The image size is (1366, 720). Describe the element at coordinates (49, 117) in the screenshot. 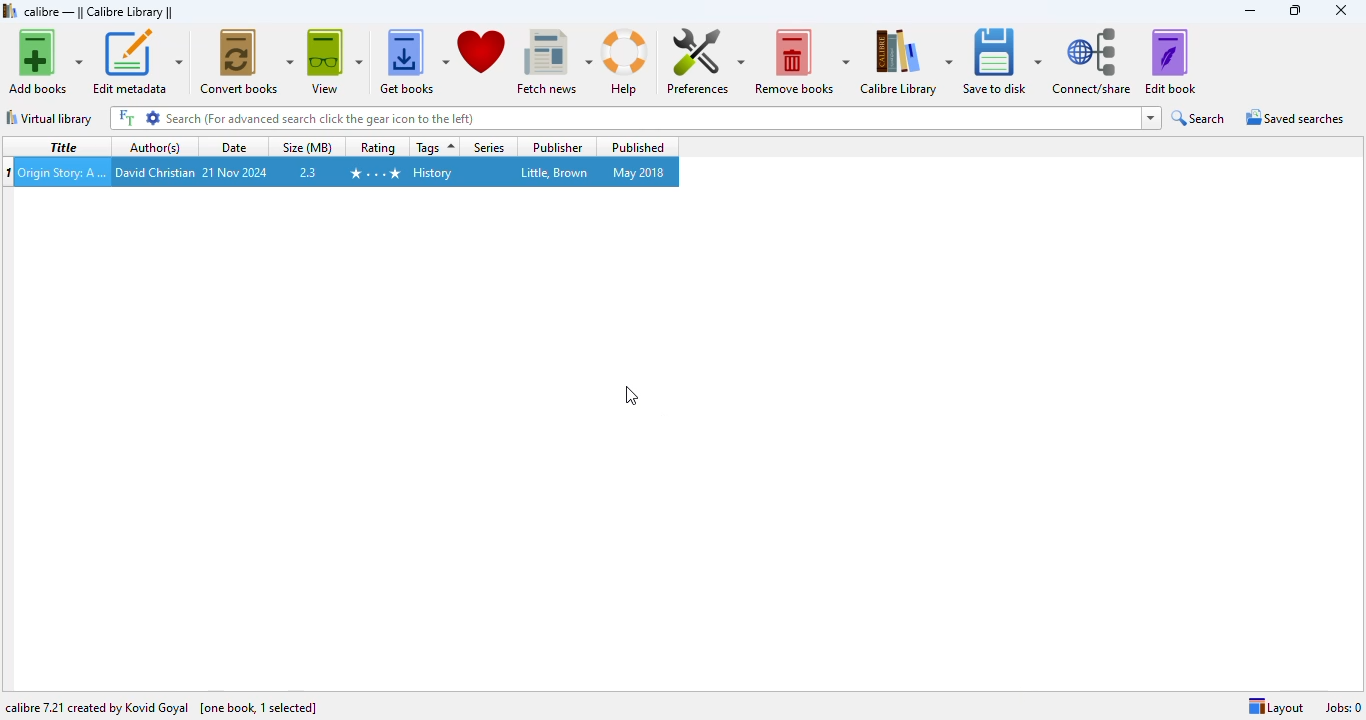

I see `virtual library` at that location.